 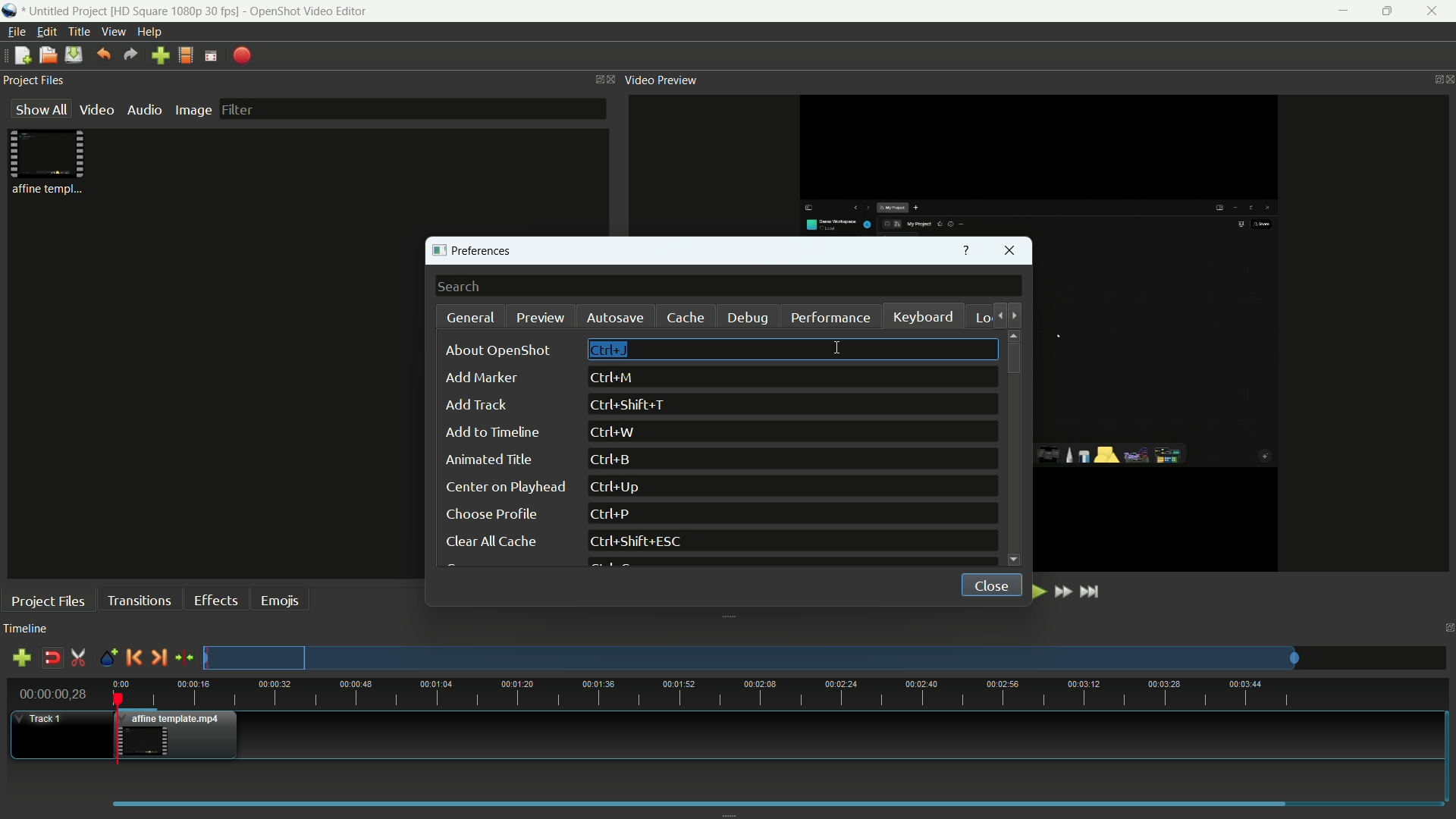 I want to click on fast forward, so click(x=1065, y=592).